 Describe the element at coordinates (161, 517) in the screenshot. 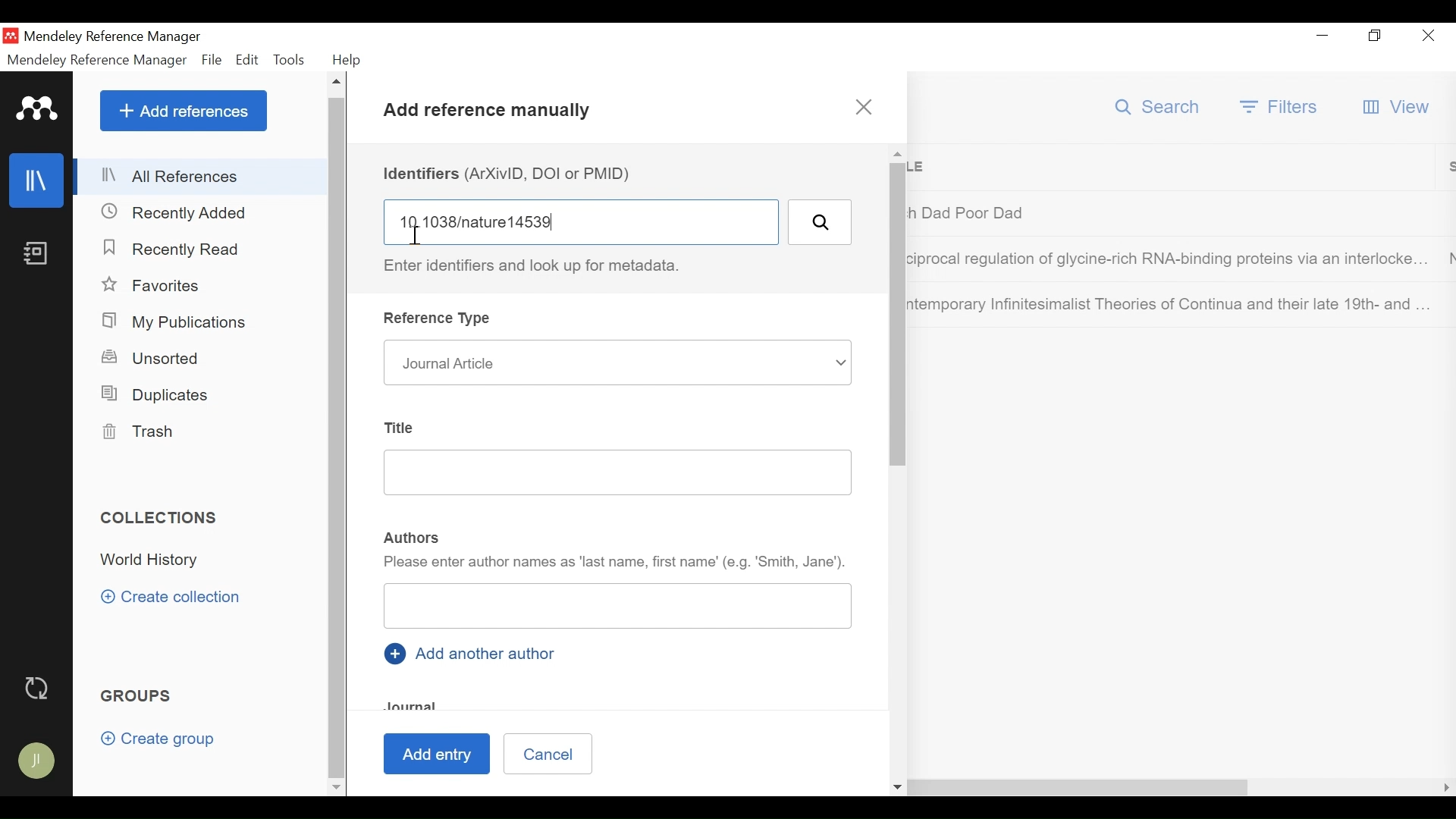

I see `Collections` at that location.